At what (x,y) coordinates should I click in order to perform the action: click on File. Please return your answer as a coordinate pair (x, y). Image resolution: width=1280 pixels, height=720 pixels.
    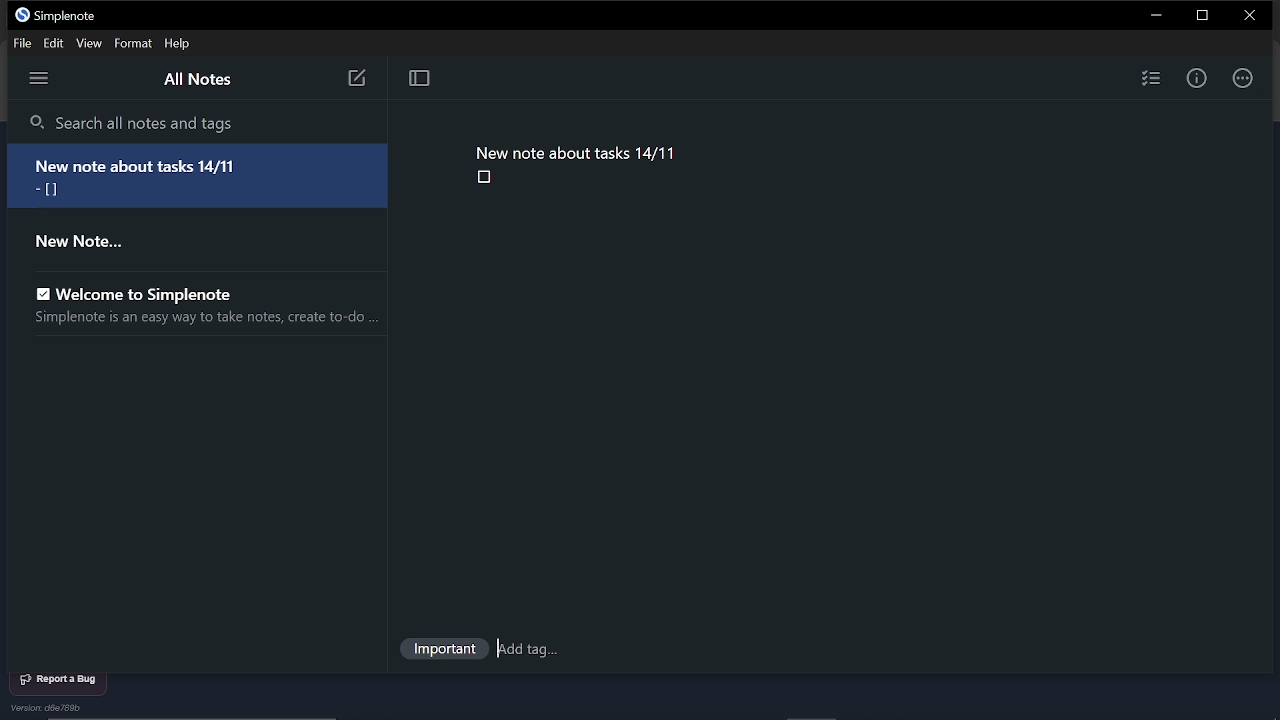
    Looking at the image, I should click on (25, 43).